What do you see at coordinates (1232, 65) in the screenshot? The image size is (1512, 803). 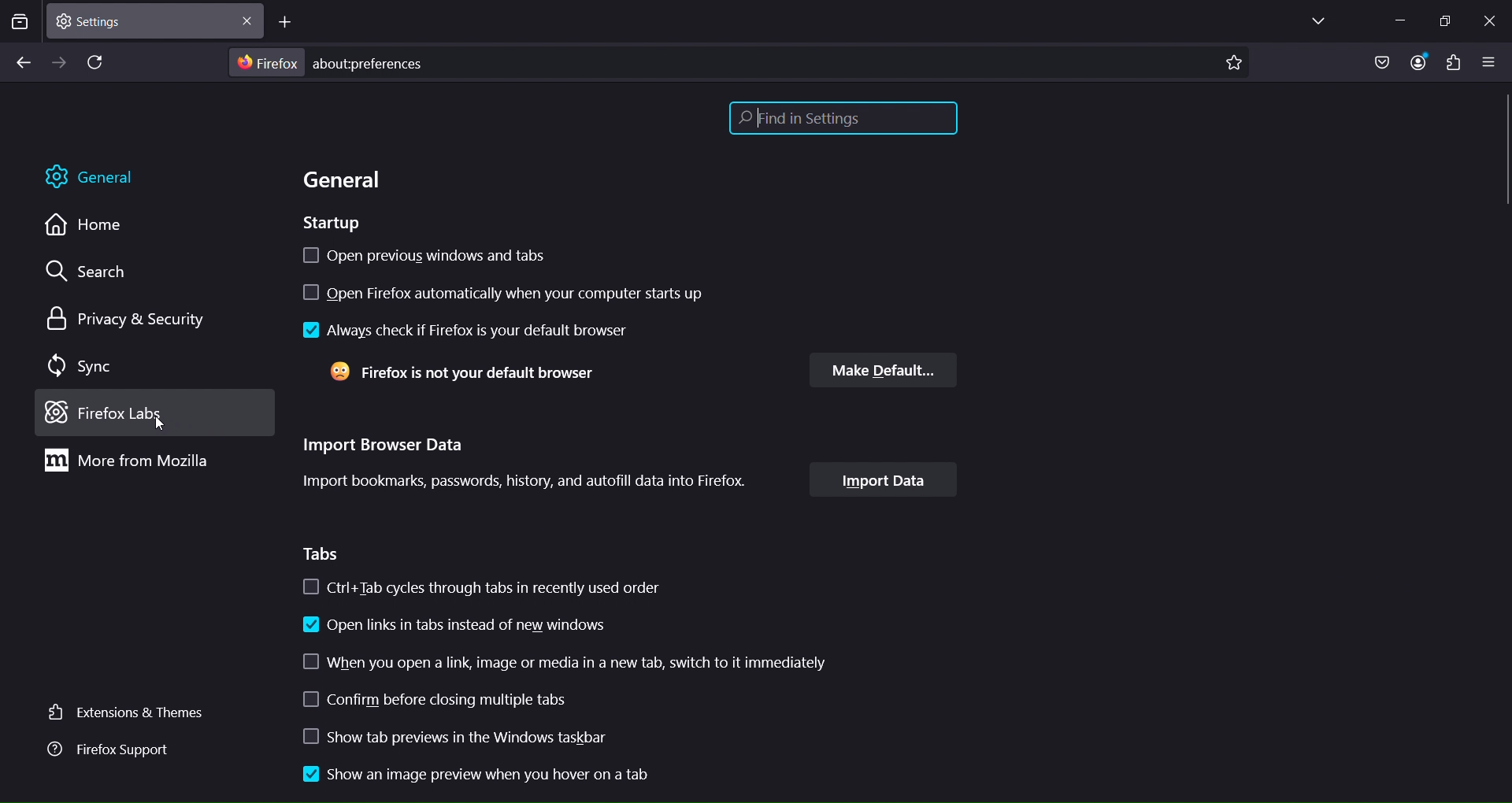 I see `bookmark page` at bounding box center [1232, 65].